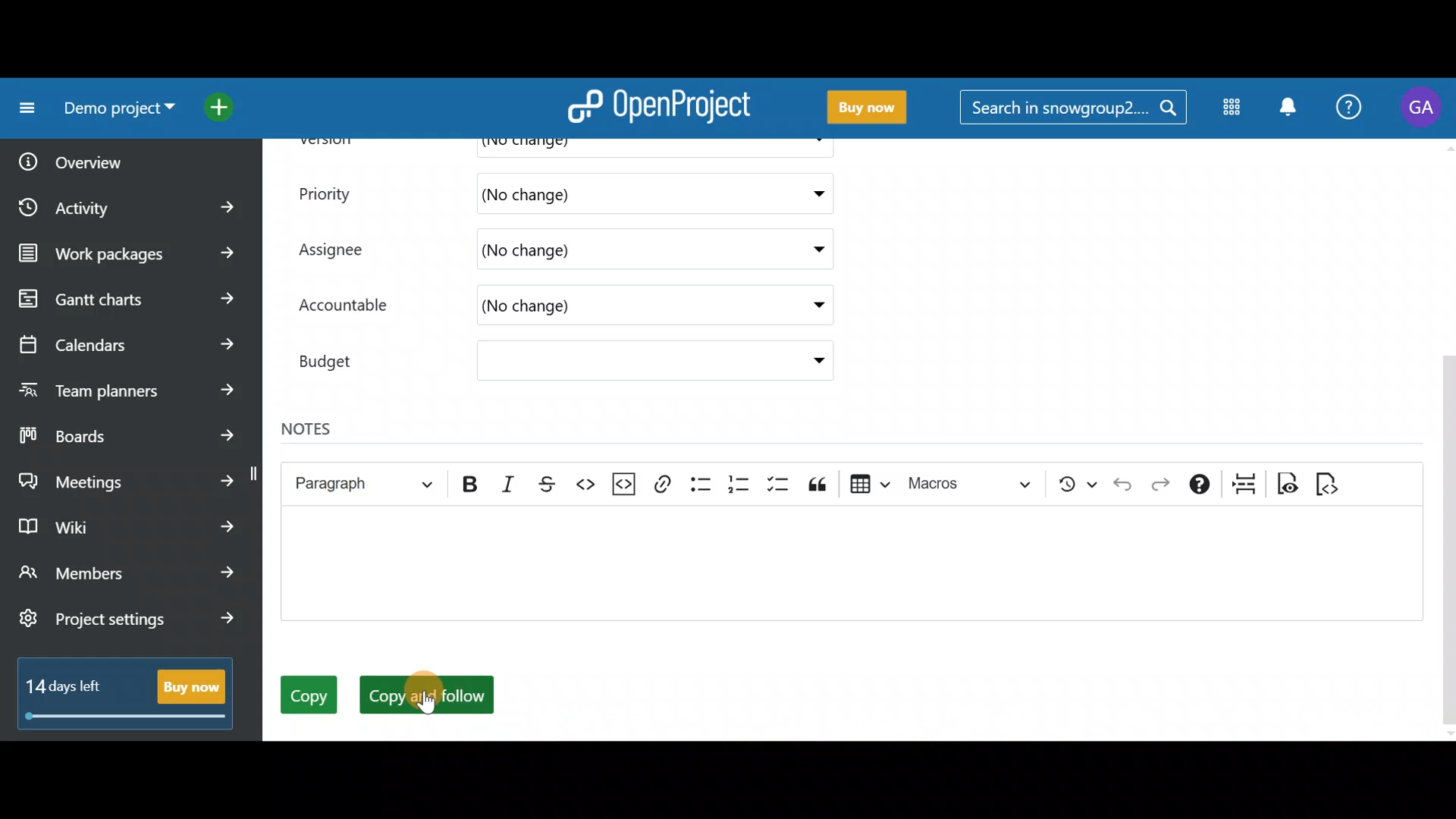 Image resolution: width=1456 pixels, height=819 pixels. Describe the element at coordinates (615, 306) in the screenshot. I see `(No change)` at that location.